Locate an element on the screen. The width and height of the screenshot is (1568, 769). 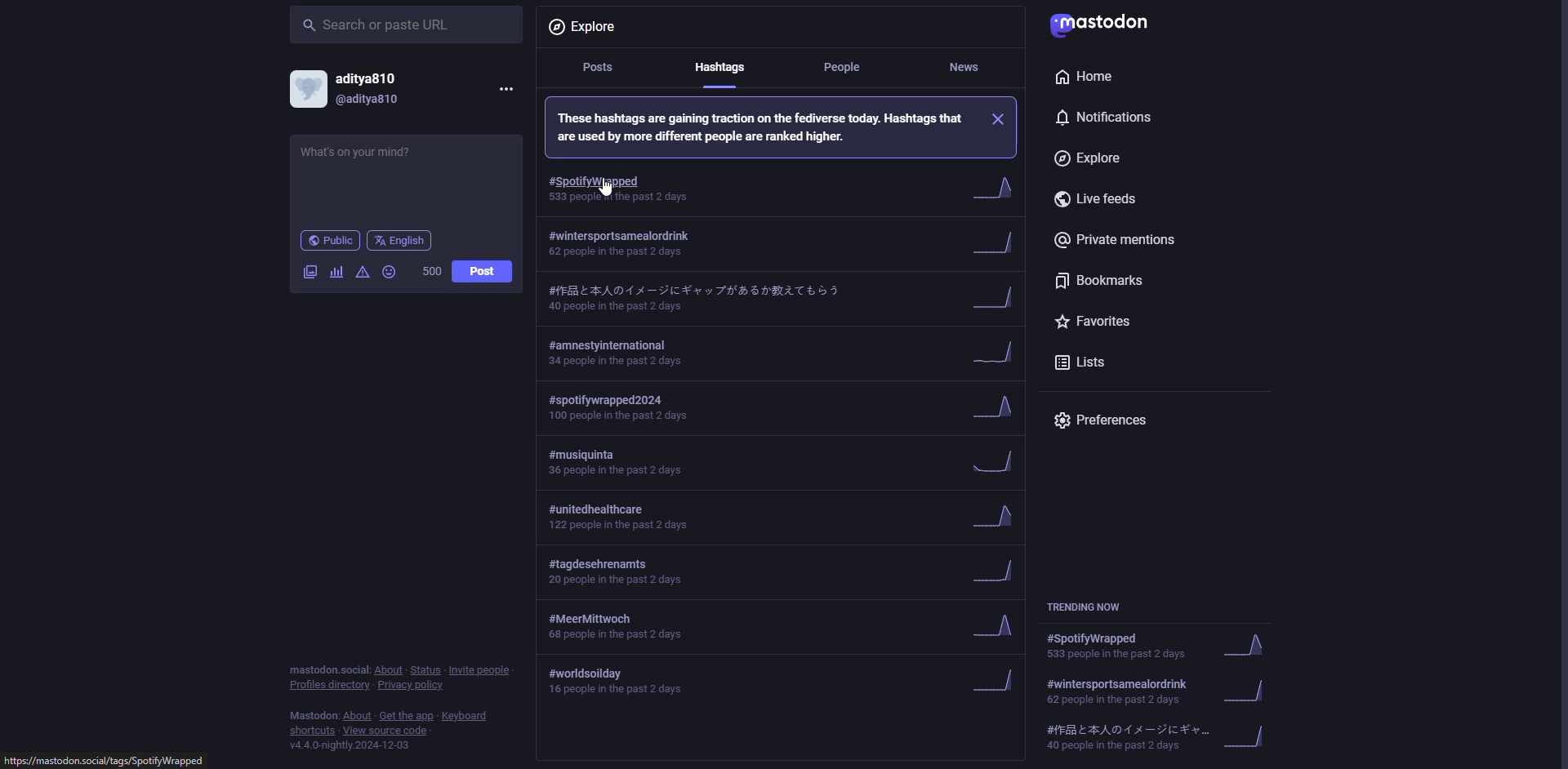
trending  is located at coordinates (1152, 691).